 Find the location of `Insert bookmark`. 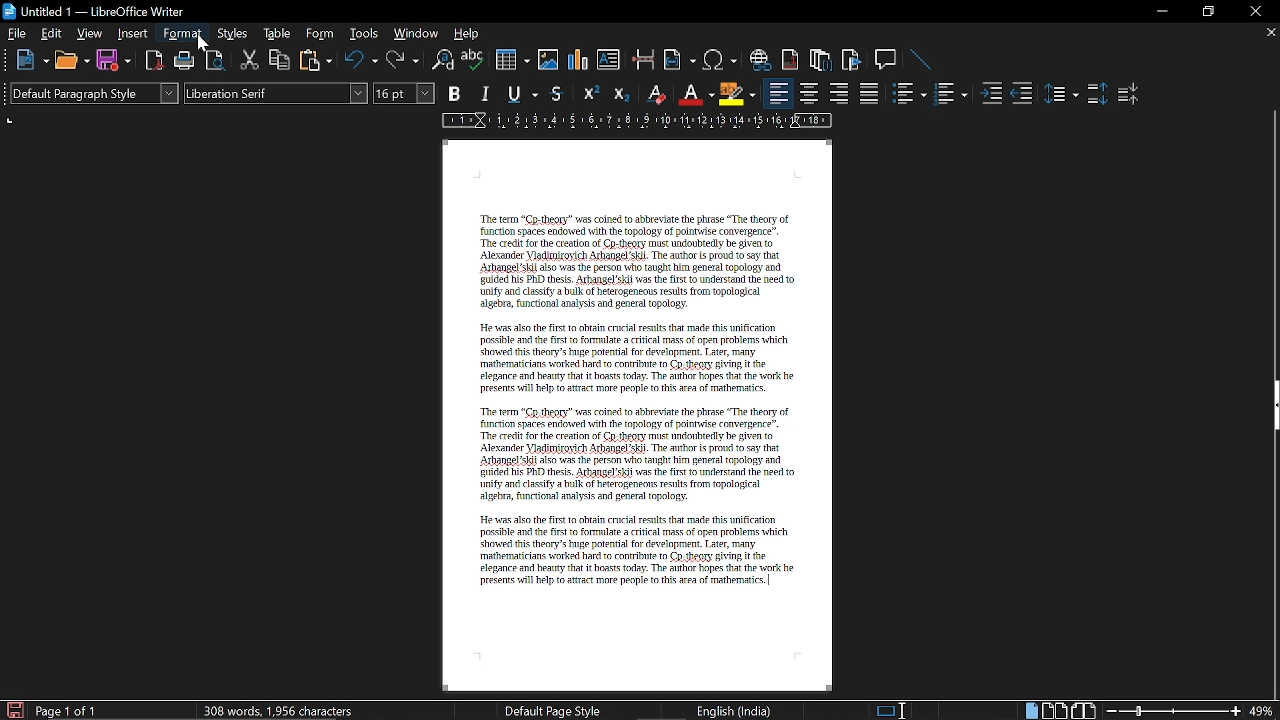

Insert bookmark is located at coordinates (853, 61).